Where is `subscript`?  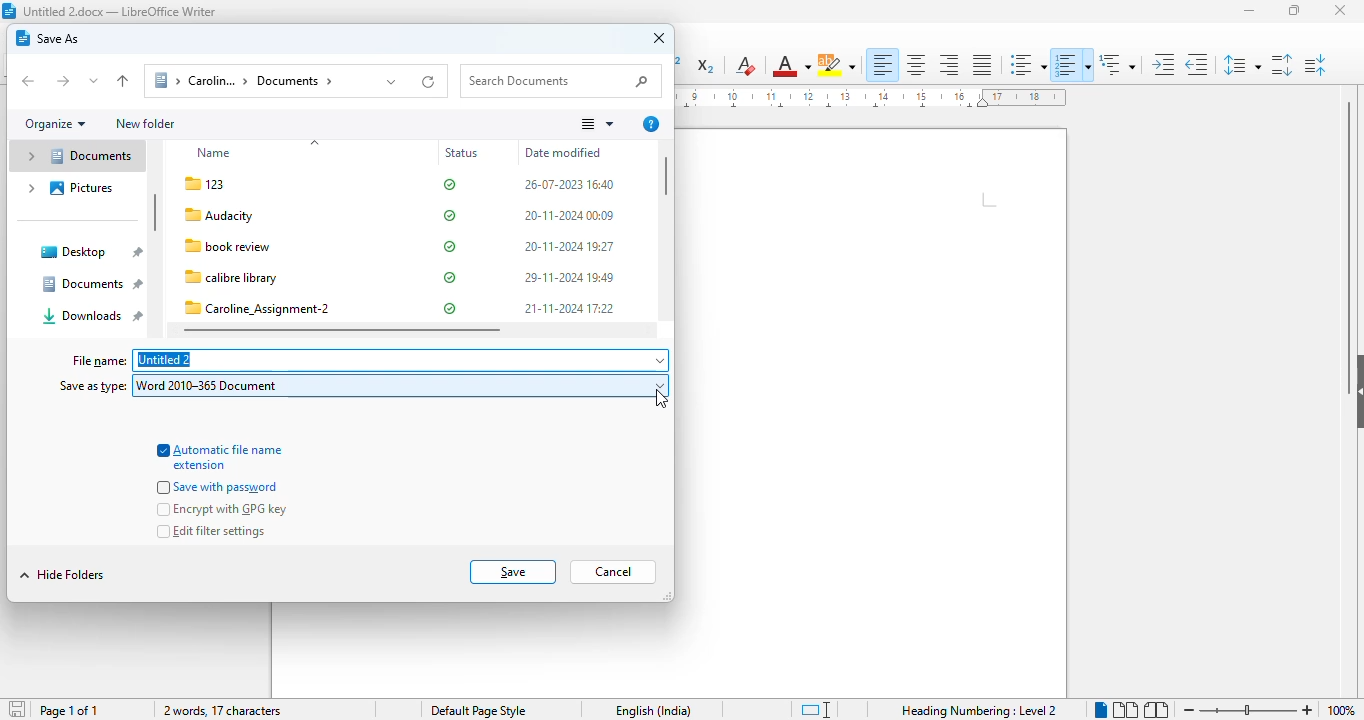
subscript is located at coordinates (707, 67).